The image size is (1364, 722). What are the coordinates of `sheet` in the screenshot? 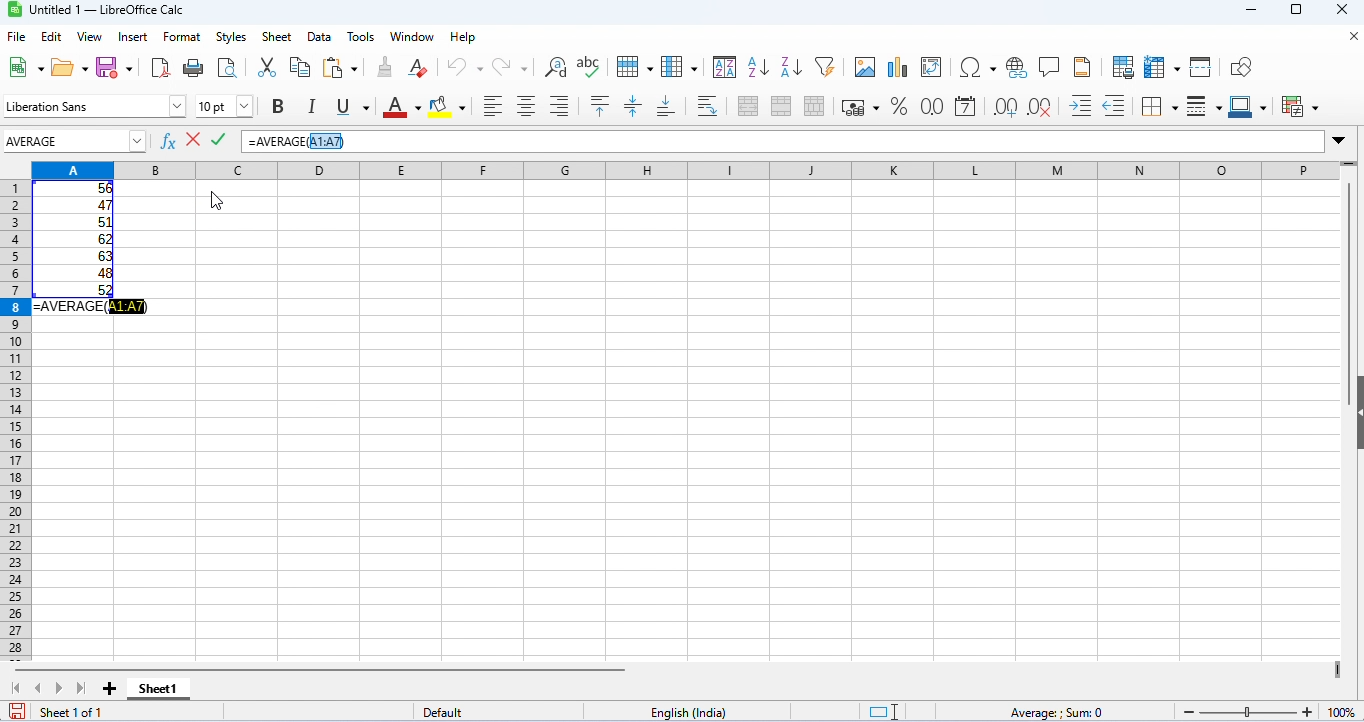 It's located at (277, 37).